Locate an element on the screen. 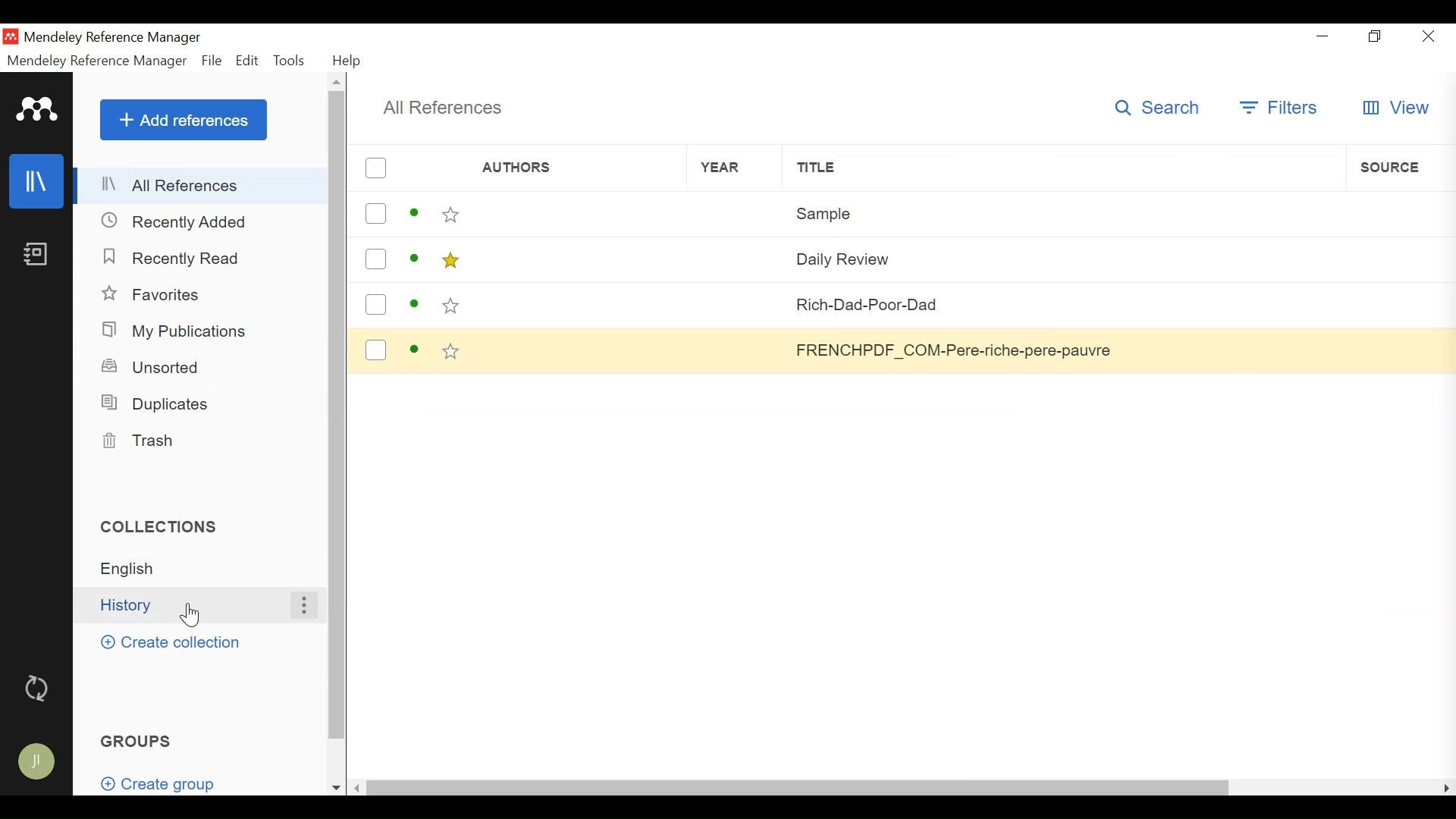  Source is located at coordinates (1400, 211).